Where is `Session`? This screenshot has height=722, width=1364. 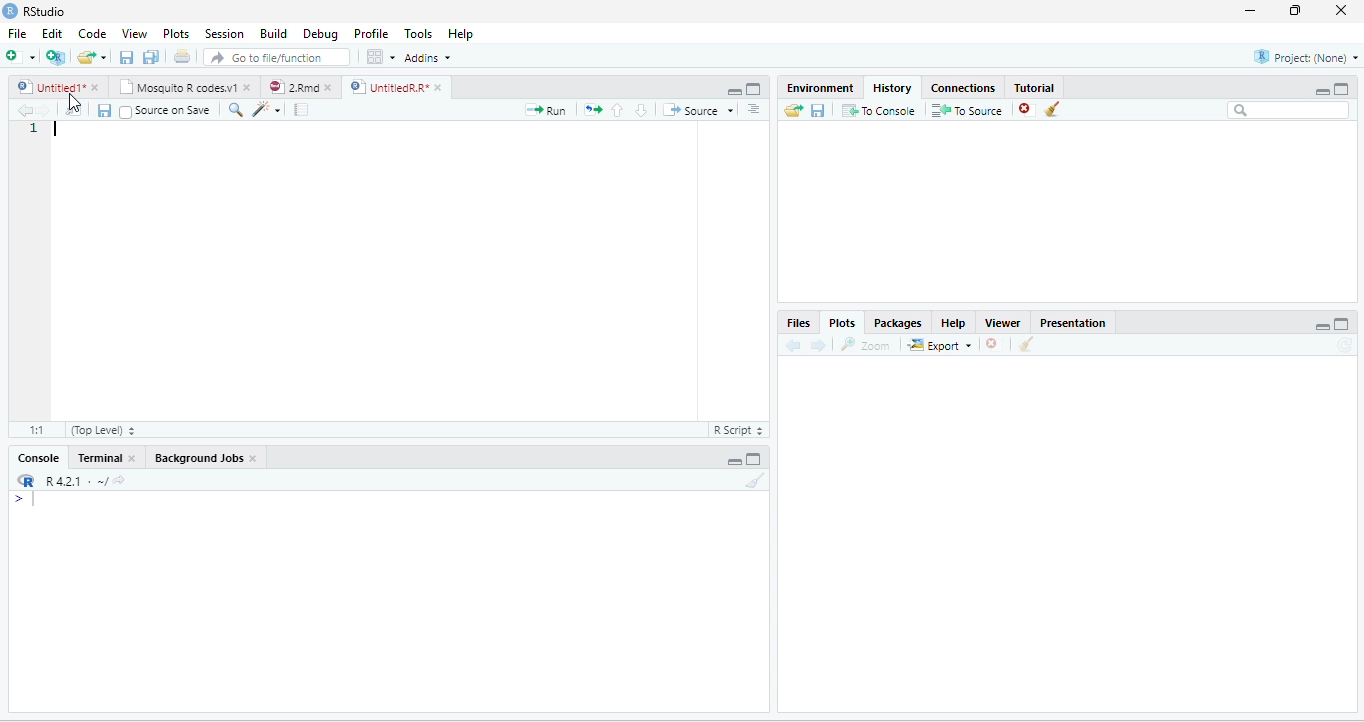 Session is located at coordinates (225, 33).